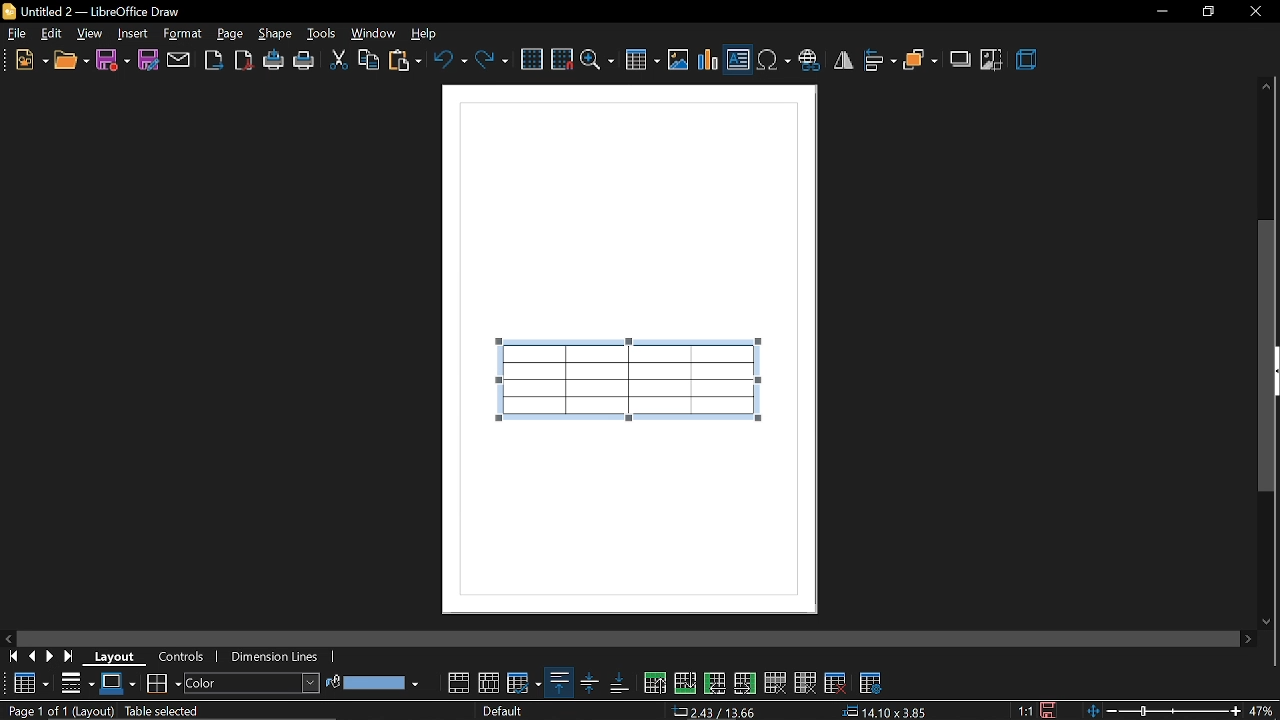  Describe the element at coordinates (214, 61) in the screenshot. I see `export as` at that location.